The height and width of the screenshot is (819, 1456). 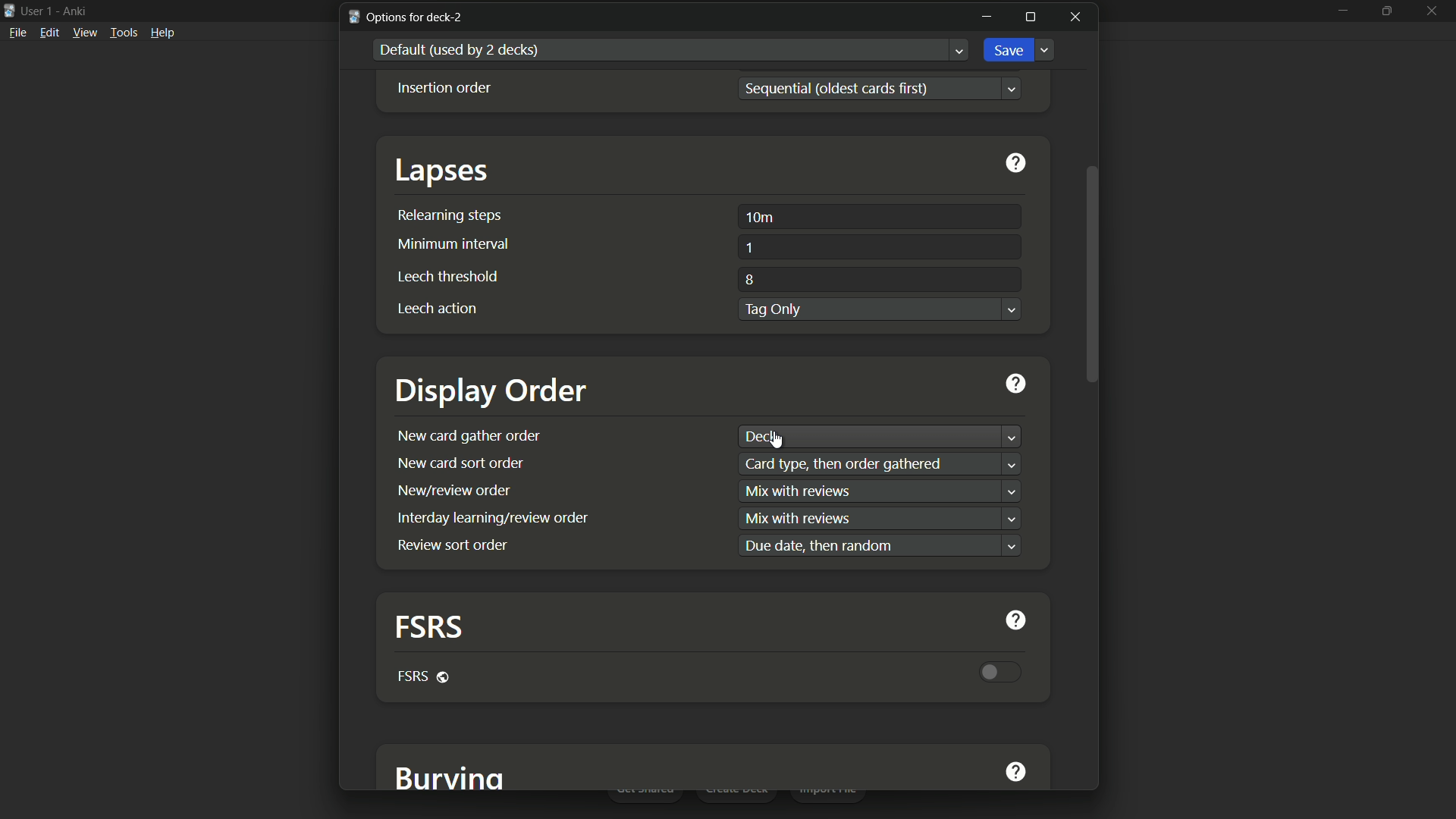 I want to click on lapses, so click(x=444, y=171).